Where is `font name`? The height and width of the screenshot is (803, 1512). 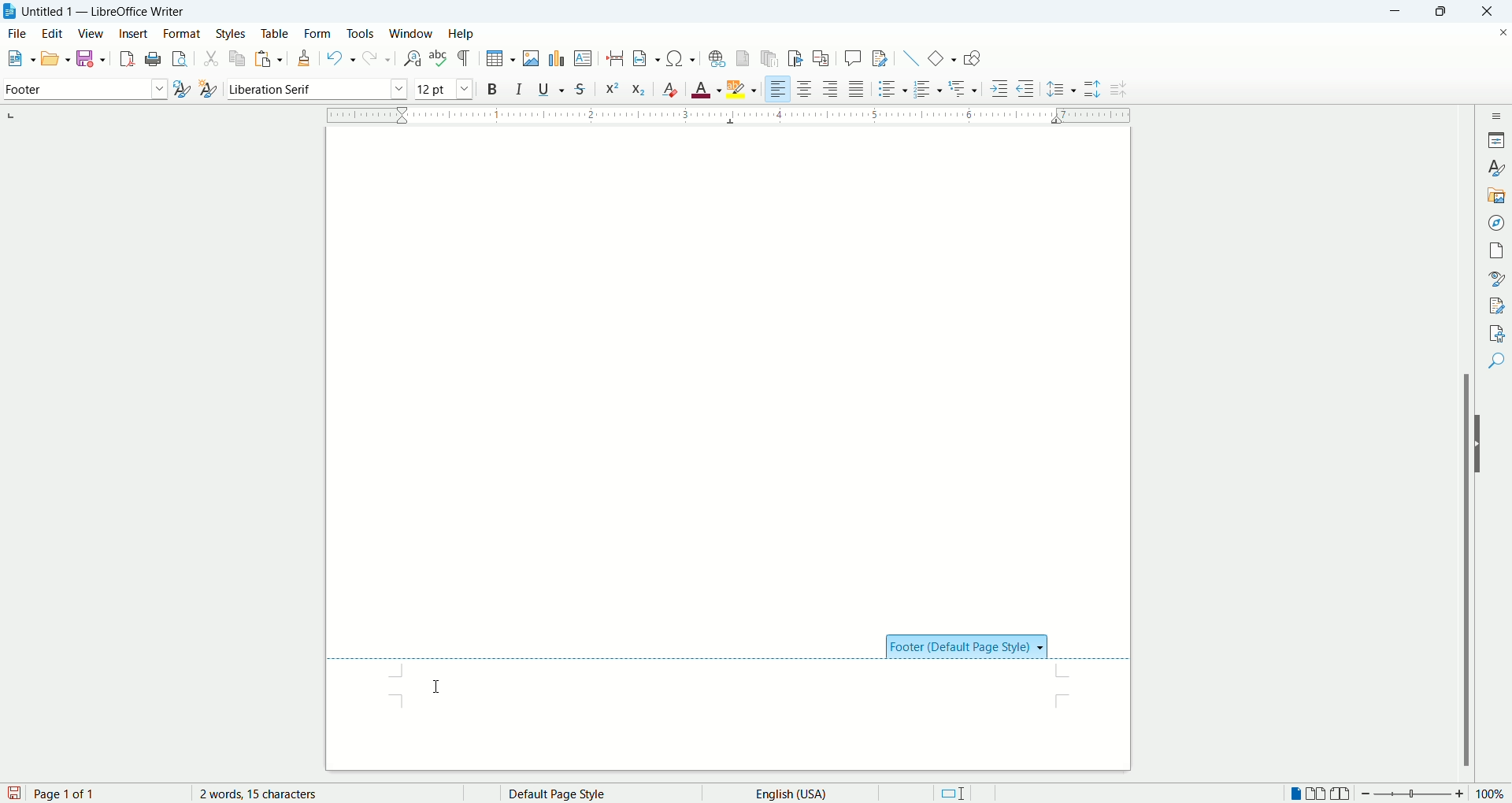 font name is located at coordinates (317, 89).